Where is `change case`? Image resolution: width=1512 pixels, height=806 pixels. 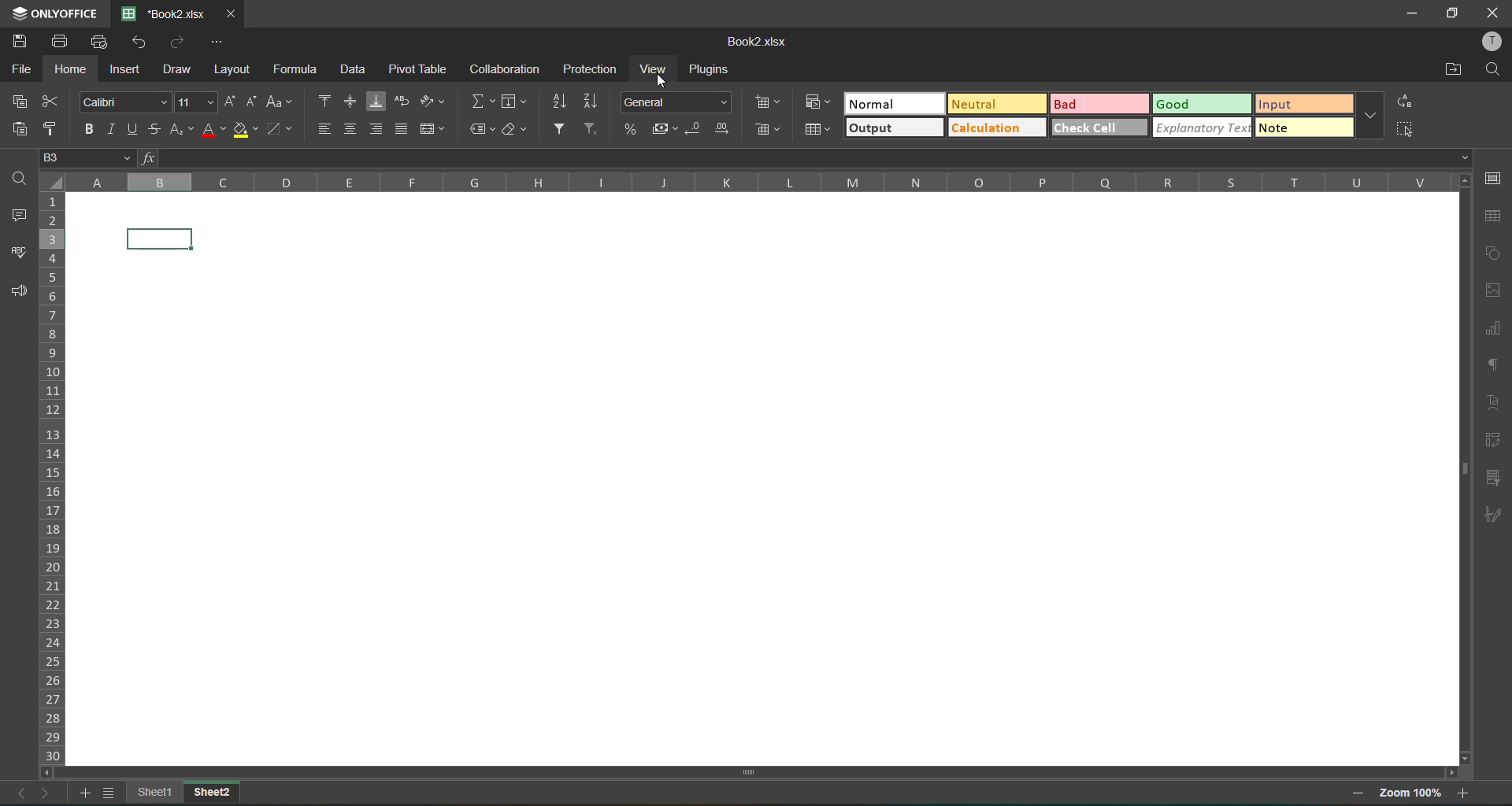 change case is located at coordinates (275, 102).